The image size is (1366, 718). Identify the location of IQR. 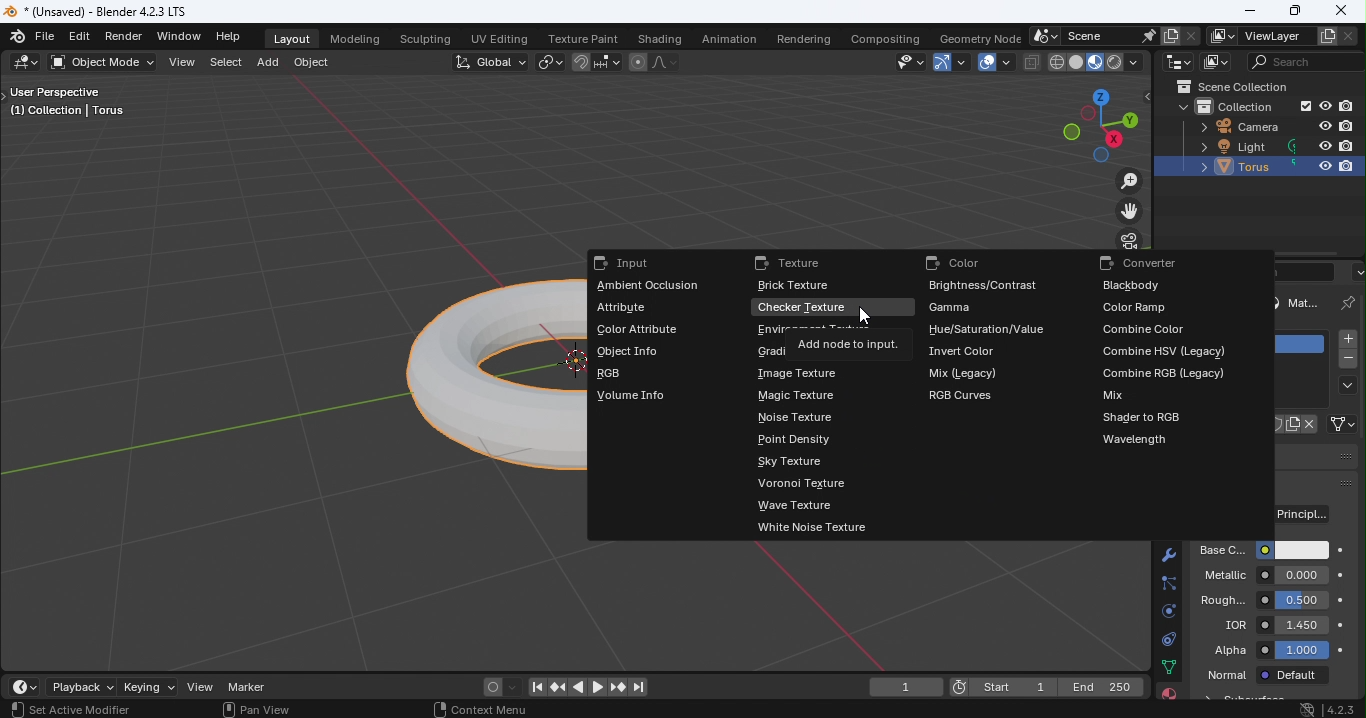
(1269, 626).